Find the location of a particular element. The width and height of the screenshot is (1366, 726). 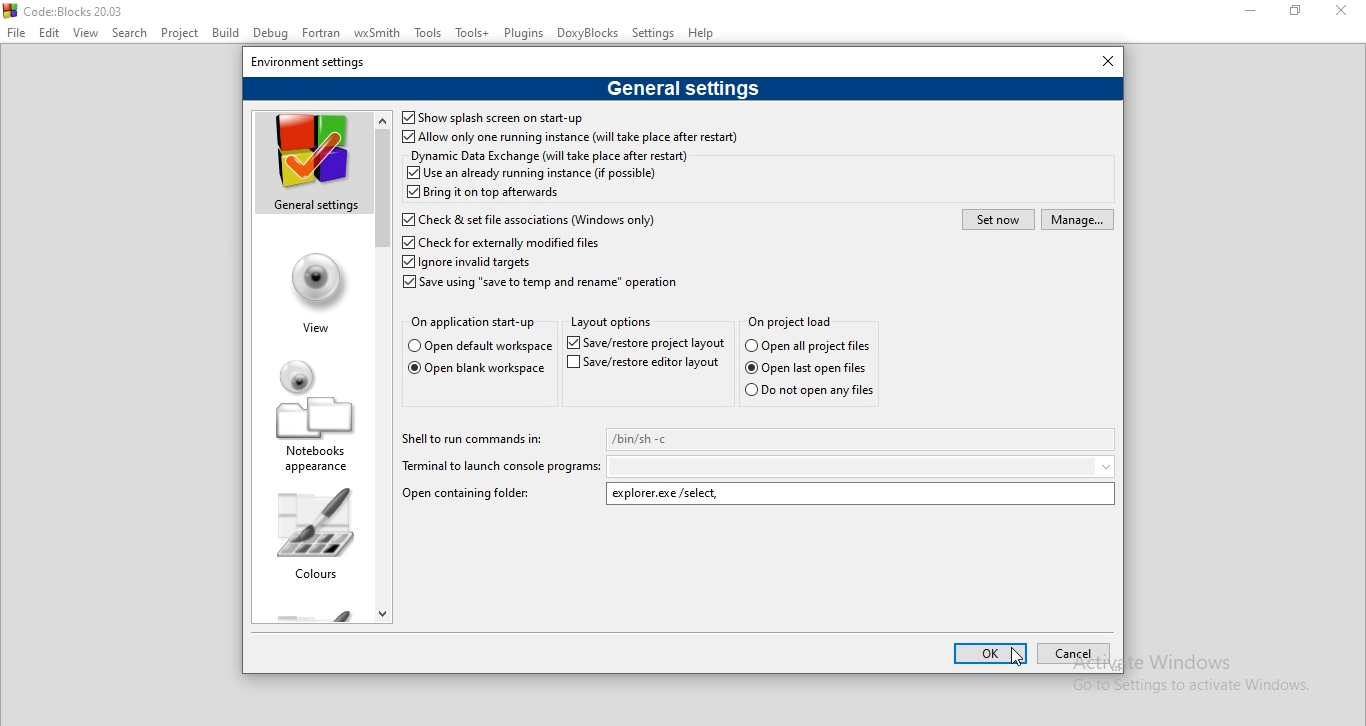

Dynamic Data Exchange (will take place after restart is located at coordinates (549, 155).